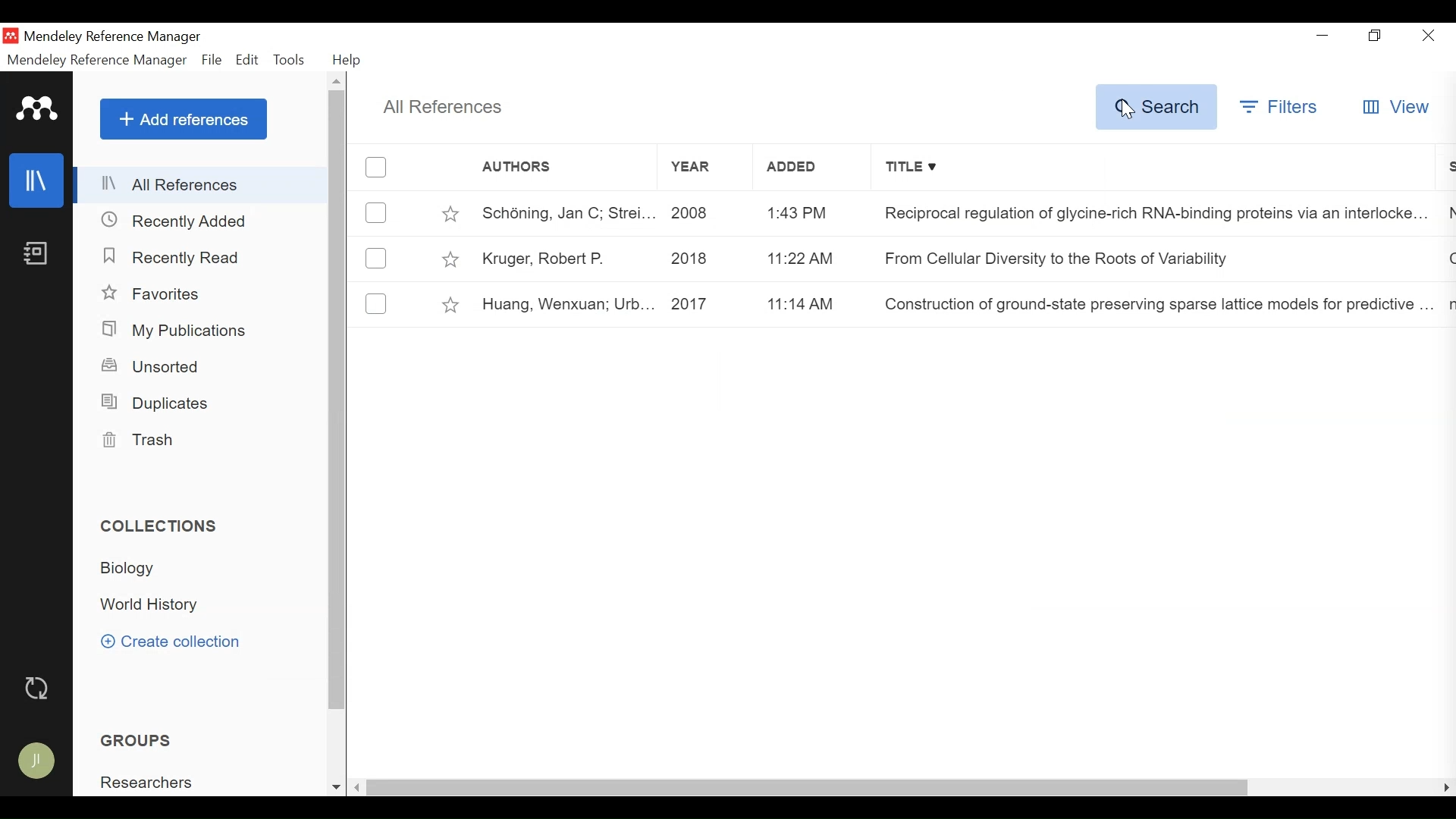 The image size is (1456, 819). Describe the element at coordinates (147, 442) in the screenshot. I see `Trash` at that location.